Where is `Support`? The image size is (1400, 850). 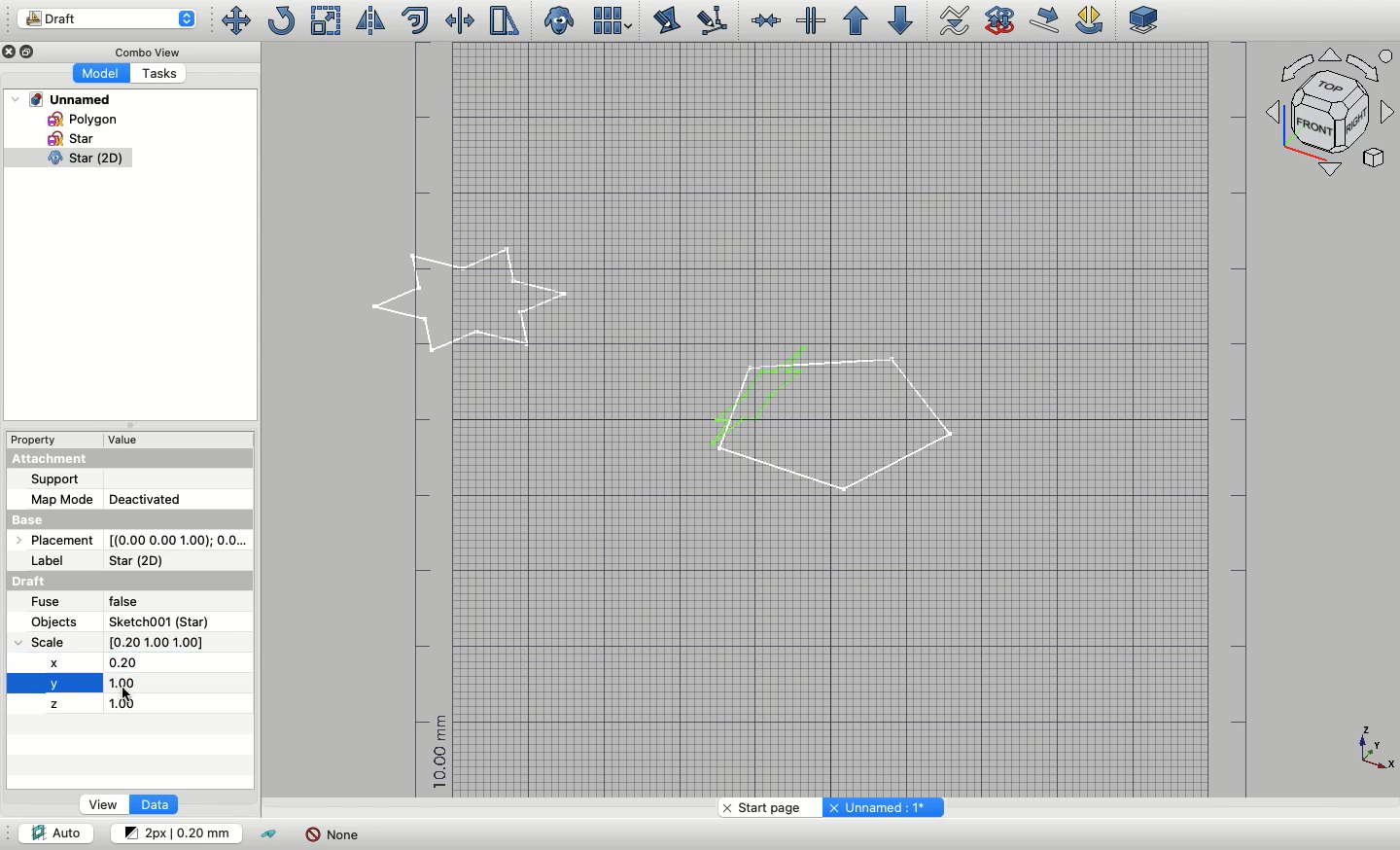
Support is located at coordinates (55, 479).